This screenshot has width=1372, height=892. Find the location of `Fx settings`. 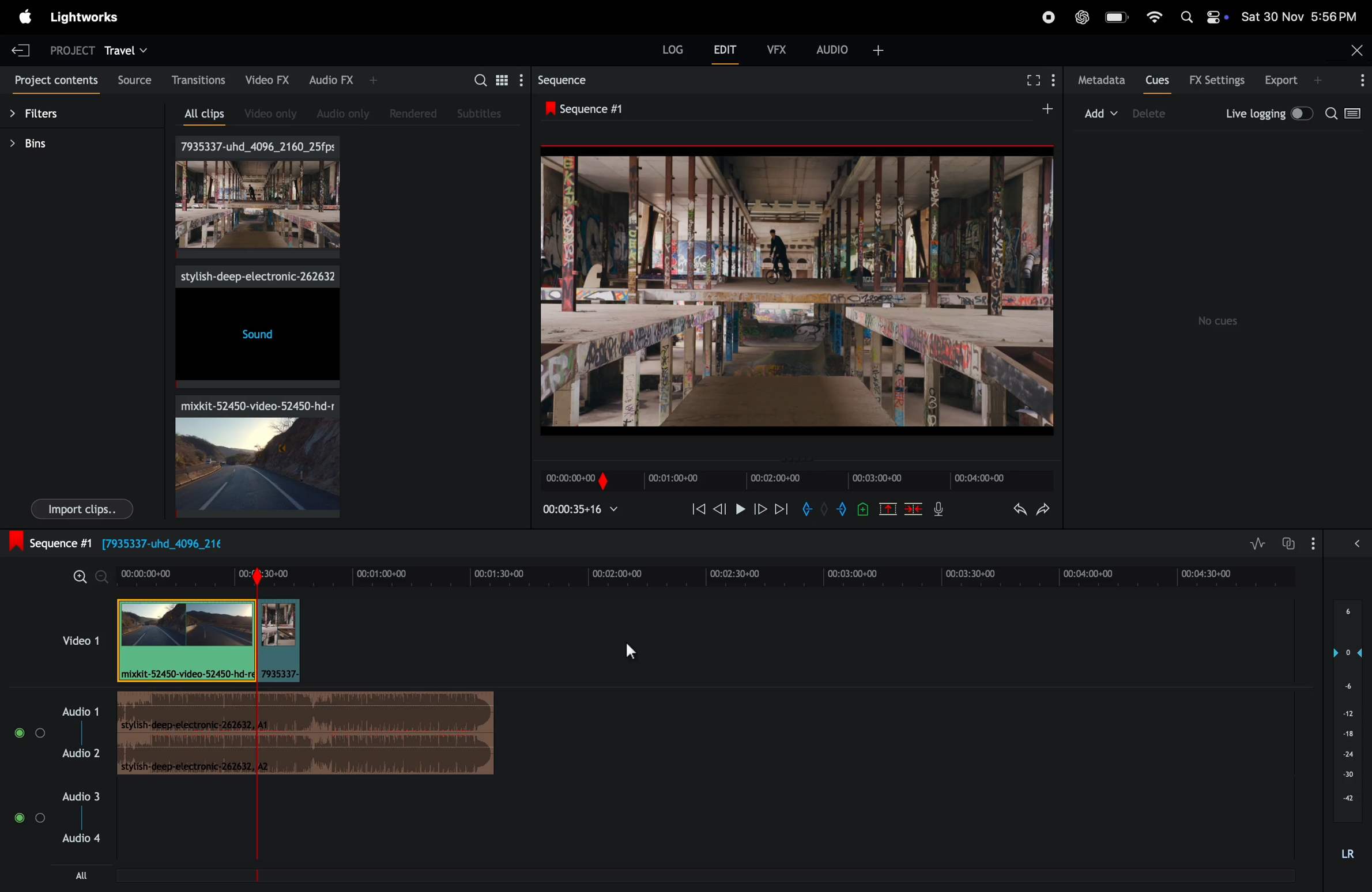

Fx settings is located at coordinates (1217, 81).